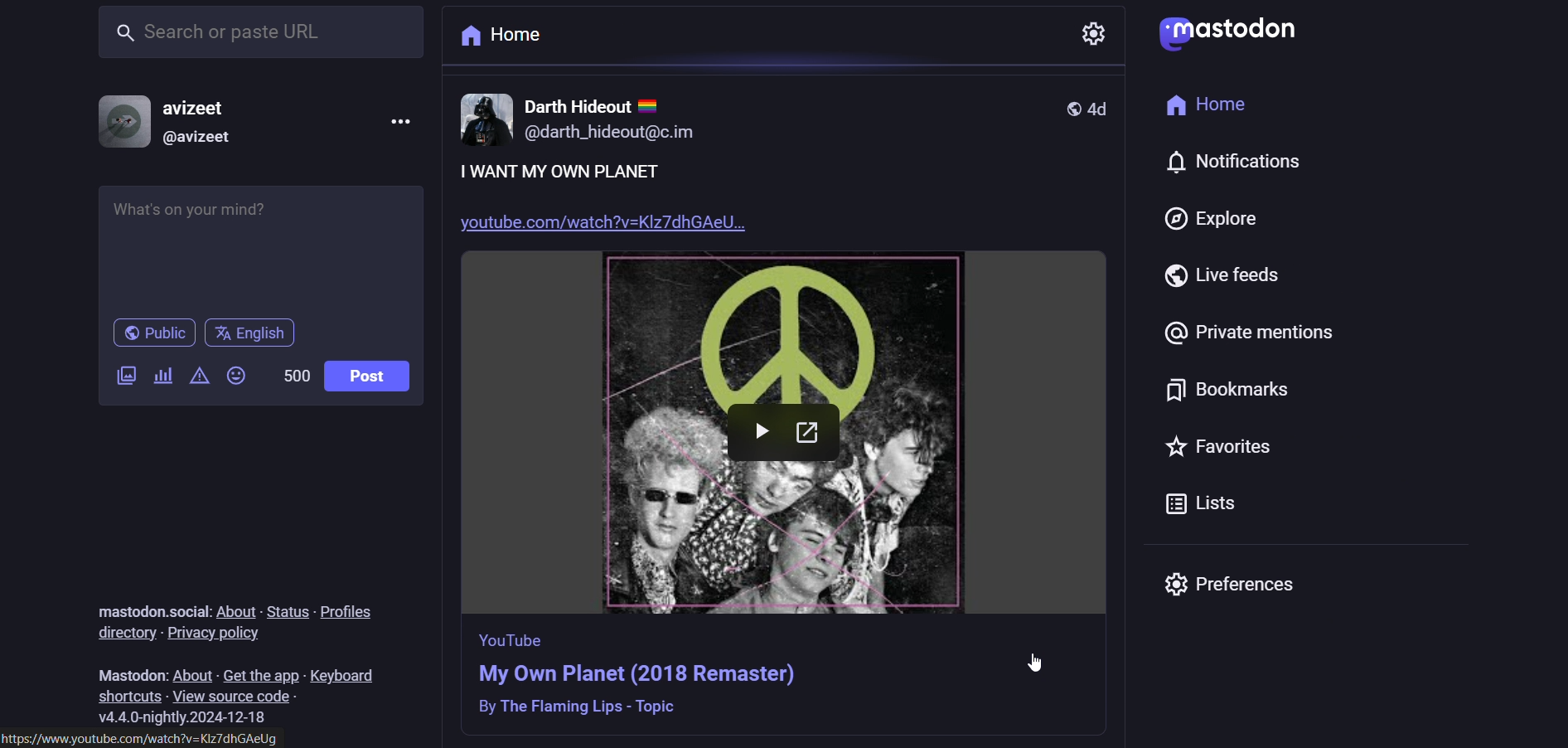 Image resolution: width=1568 pixels, height=748 pixels. I want to click on emojis, so click(238, 377).